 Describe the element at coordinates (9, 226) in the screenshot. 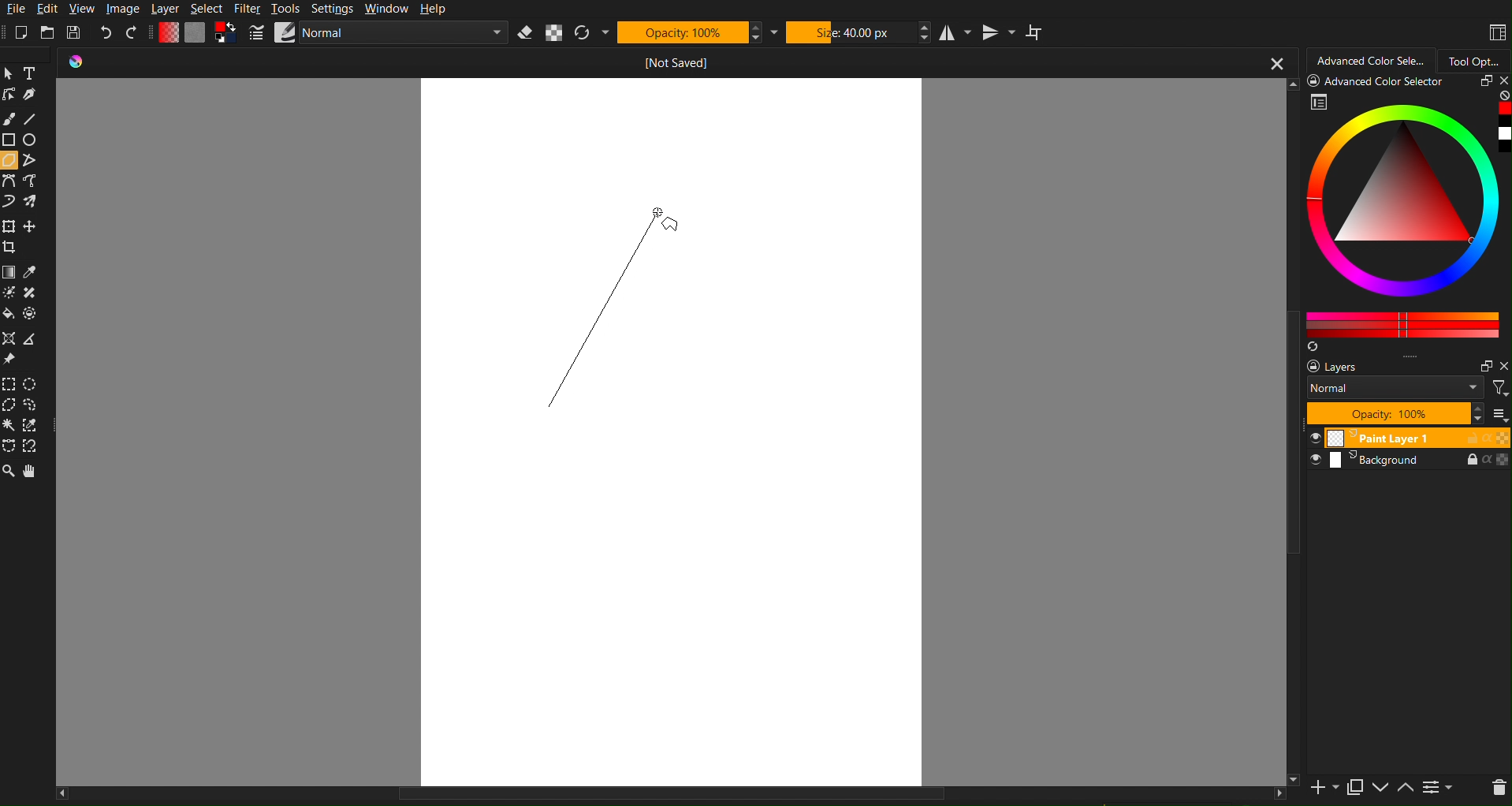

I see `transform a layer or a selection` at that location.